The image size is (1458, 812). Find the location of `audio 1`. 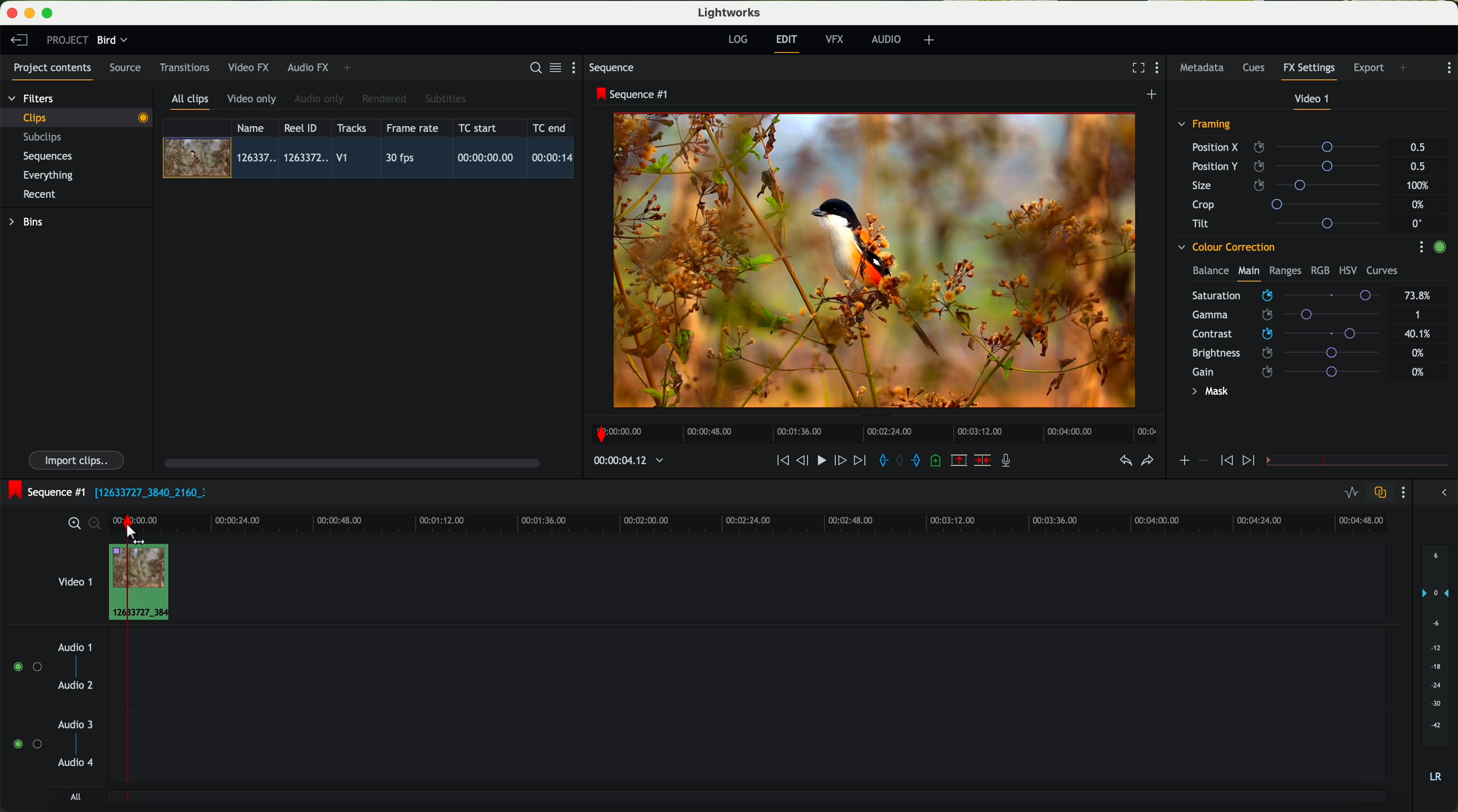

audio 1 is located at coordinates (75, 647).